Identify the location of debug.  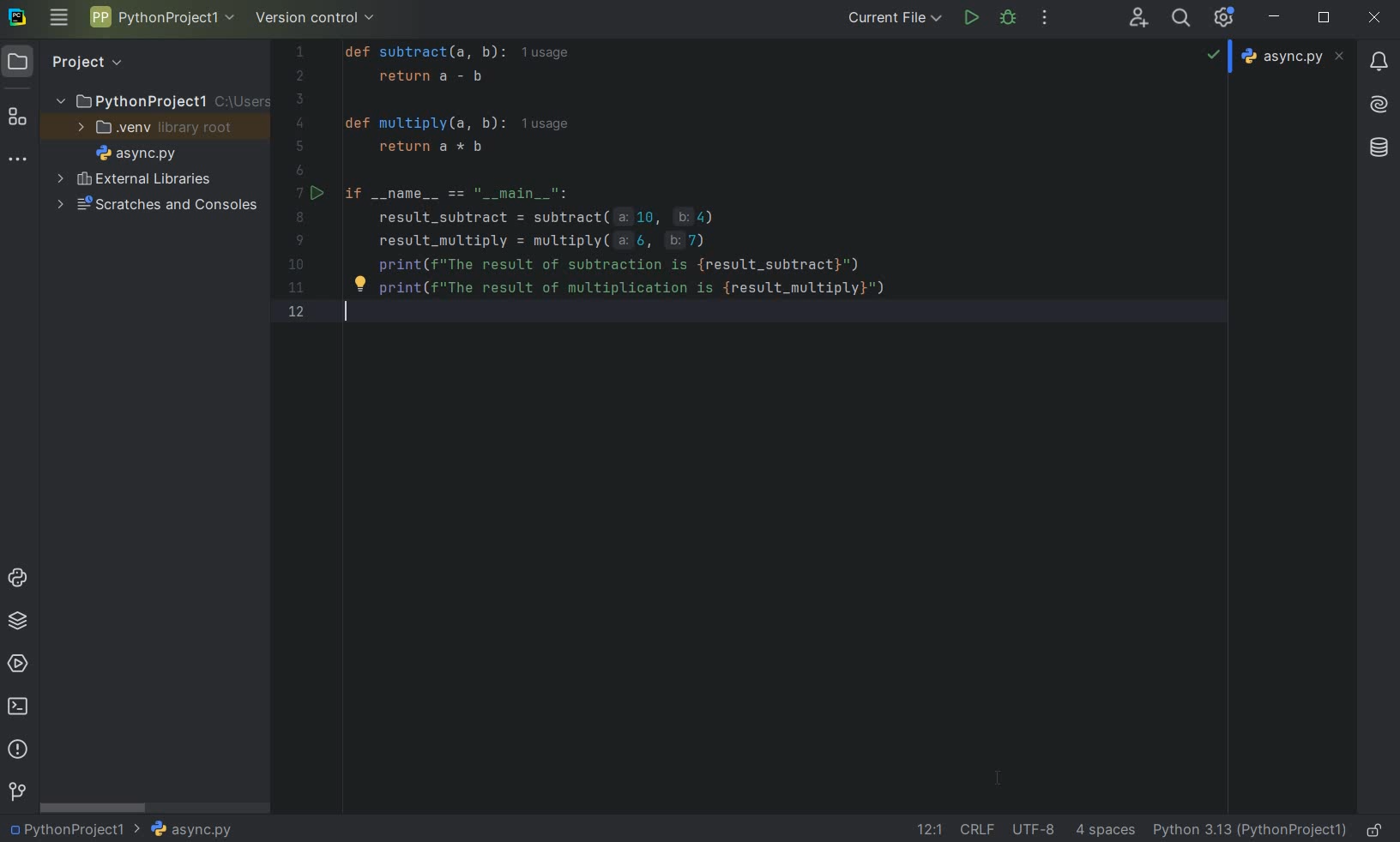
(1009, 16).